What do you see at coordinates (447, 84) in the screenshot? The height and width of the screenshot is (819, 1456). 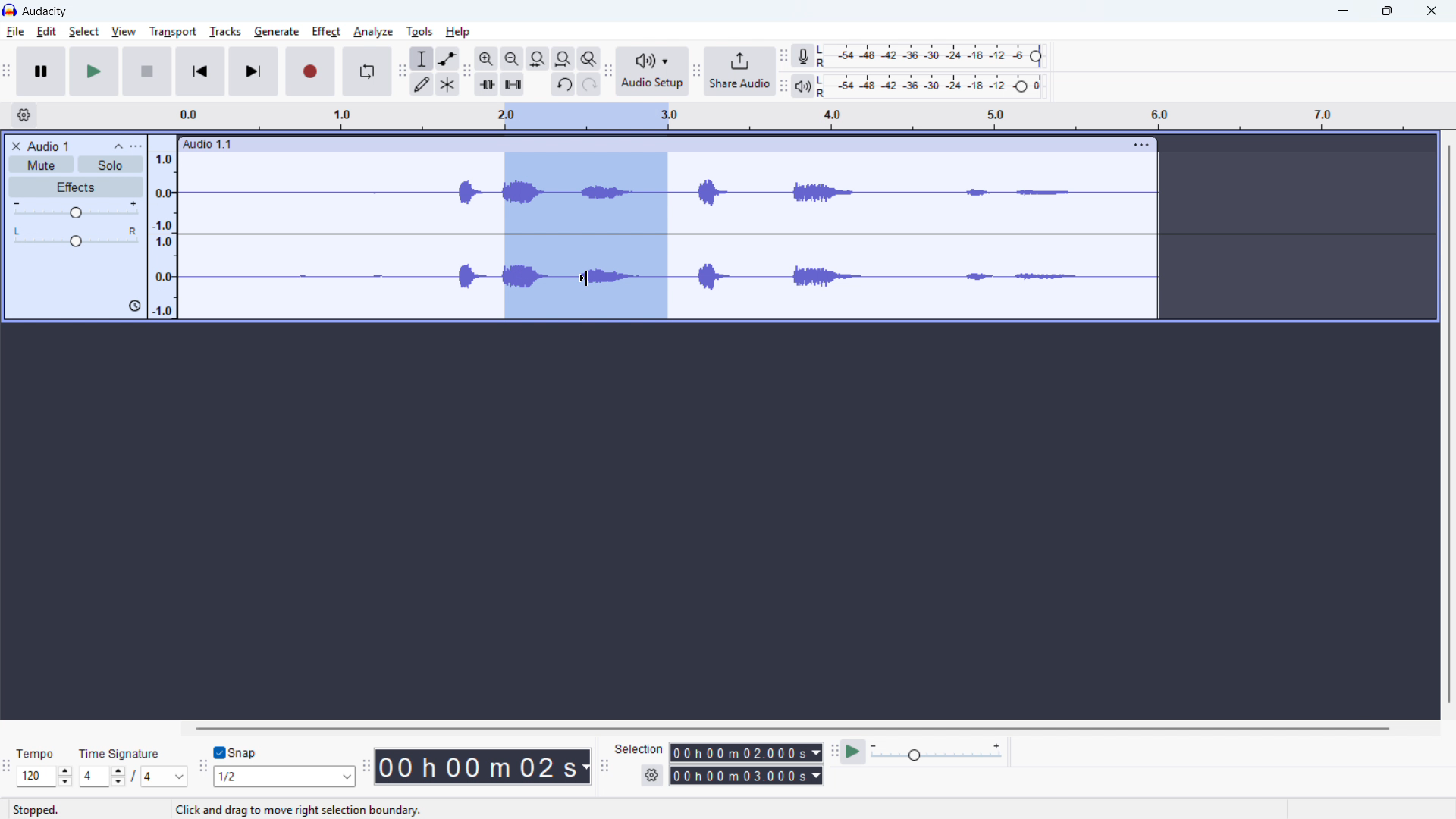 I see `Multi - tool` at bounding box center [447, 84].